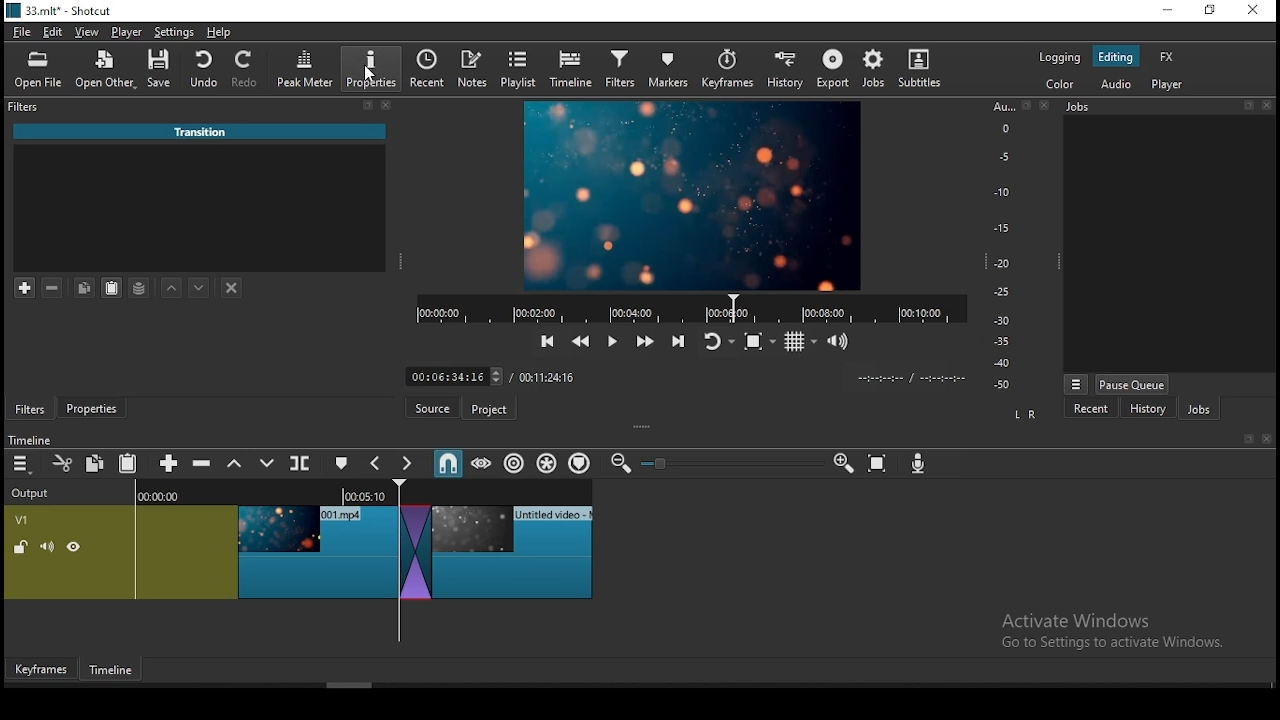  What do you see at coordinates (83, 287) in the screenshot?
I see `copy selected filter` at bounding box center [83, 287].